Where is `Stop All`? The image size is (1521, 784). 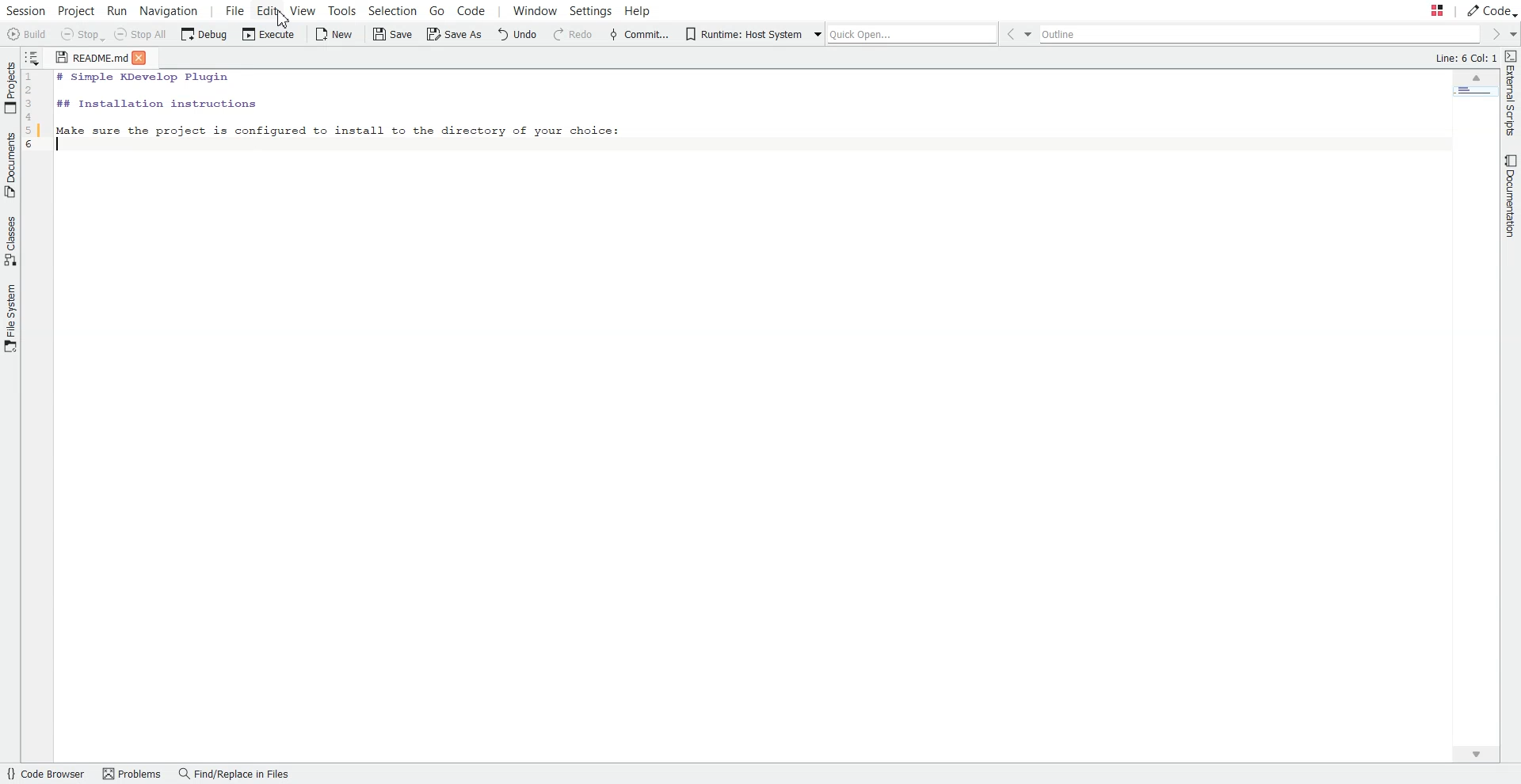 Stop All is located at coordinates (143, 36).